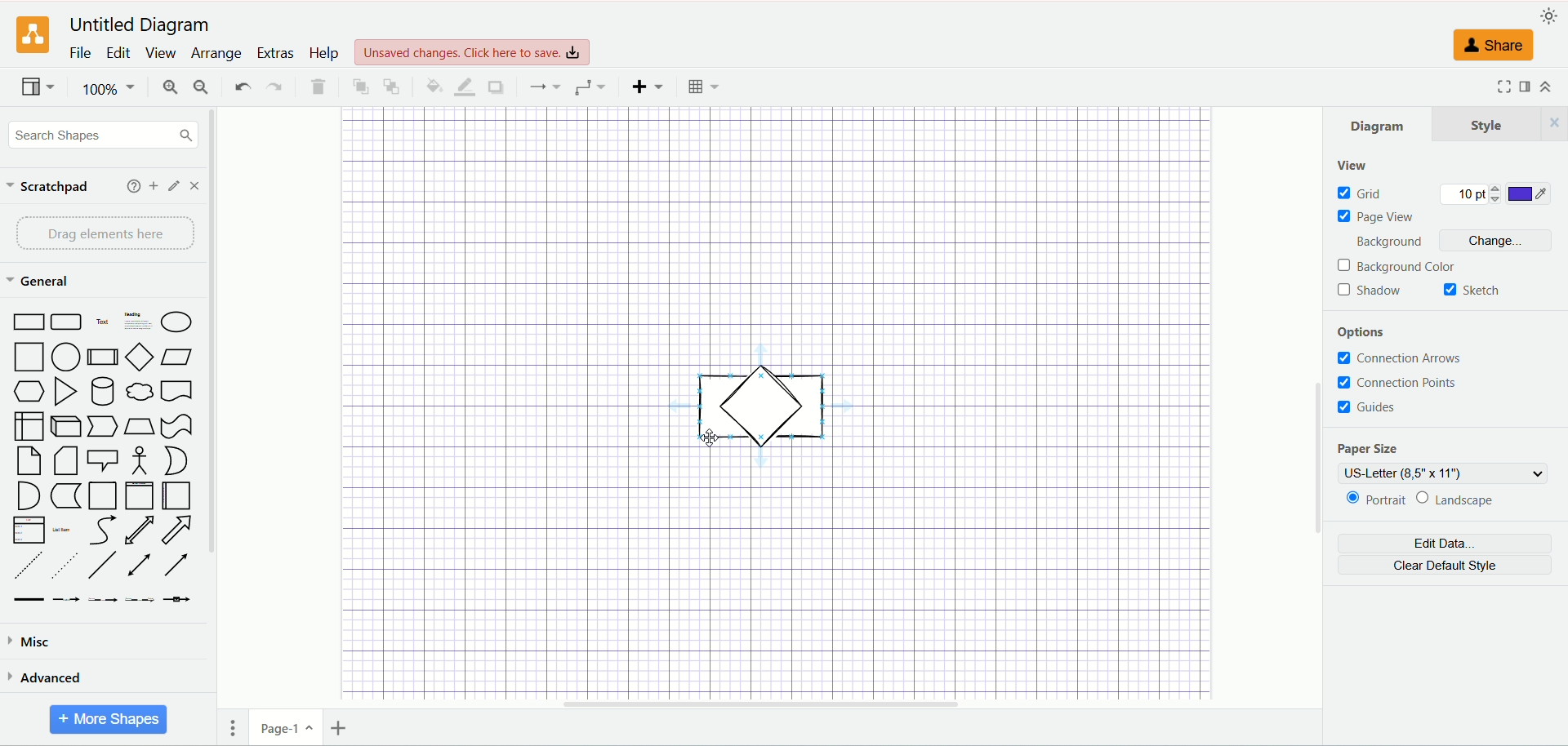  I want to click on undo, so click(241, 87).